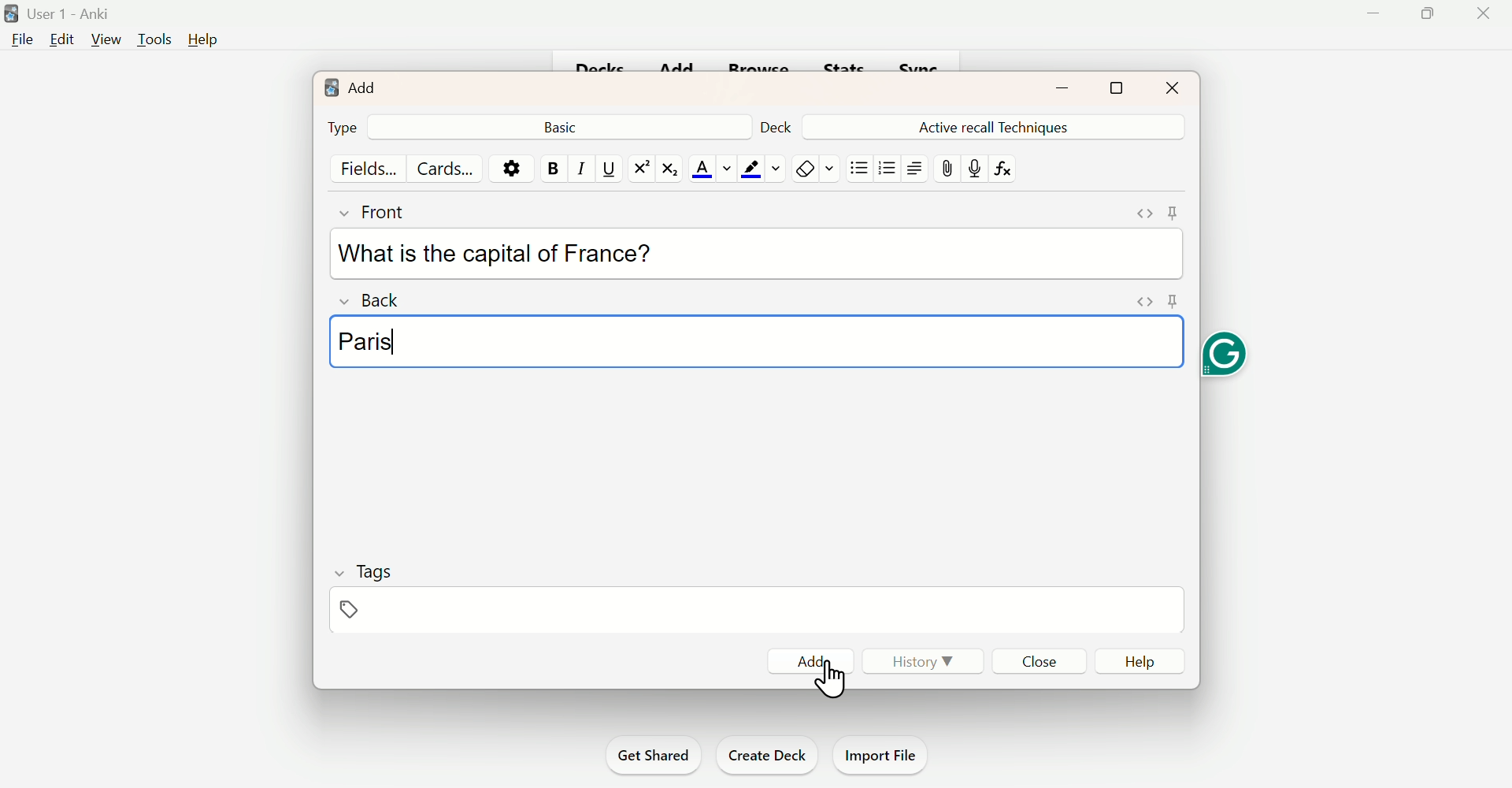 The image size is (1512, 788). What do you see at coordinates (976, 167) in the screenshot?
I see `Mic` at bounding box center [976, 167].